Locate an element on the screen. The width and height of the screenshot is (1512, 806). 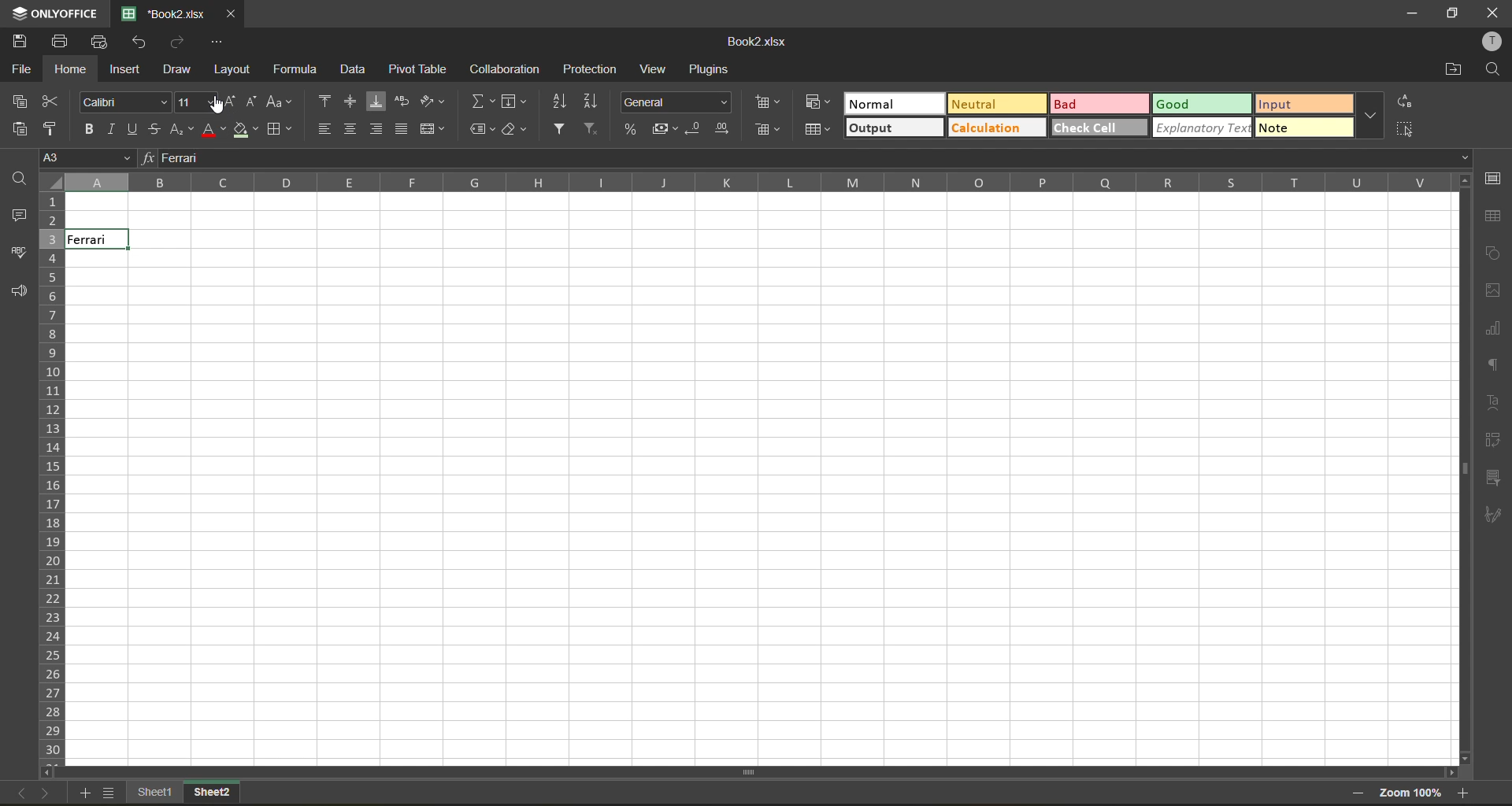
align top is located at coordinates (323, 100).